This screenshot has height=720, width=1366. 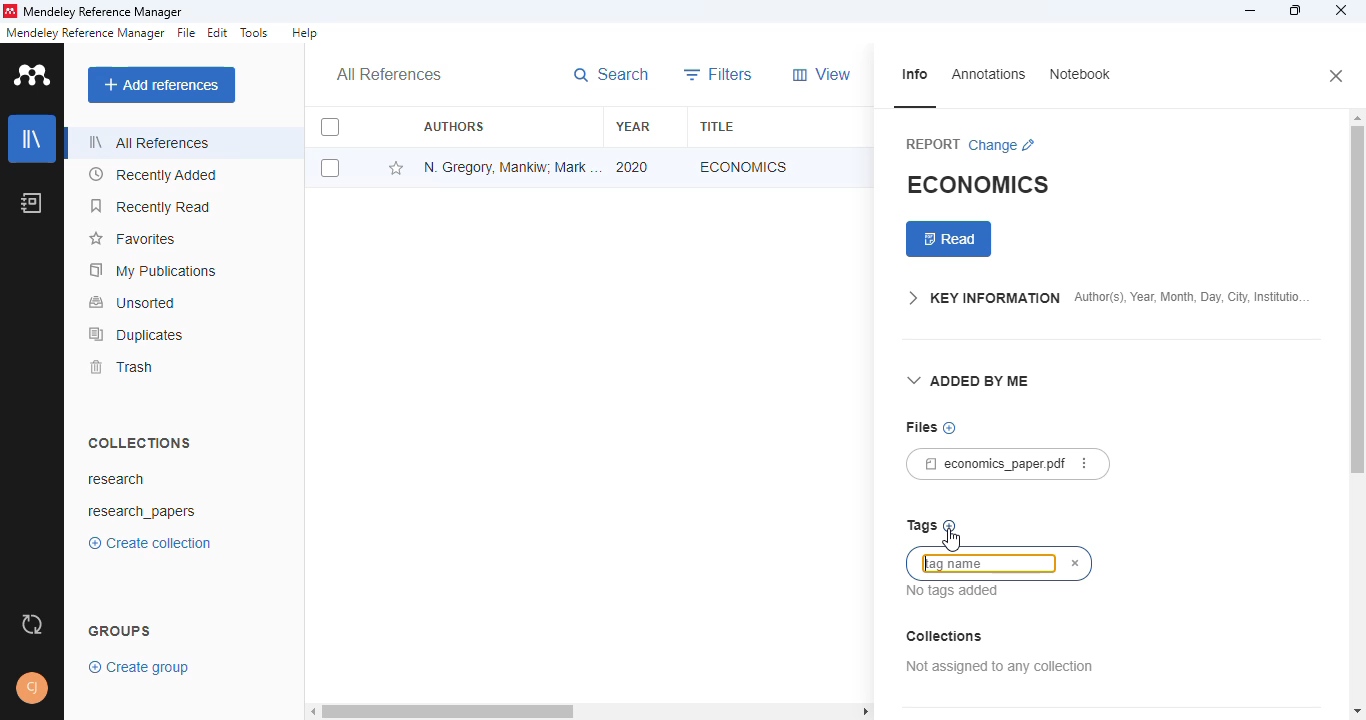 What do you see at coordinates (1000, 666) in the screenshot?
I see `not assigned to any collection` at bounding box center [1000, 666].